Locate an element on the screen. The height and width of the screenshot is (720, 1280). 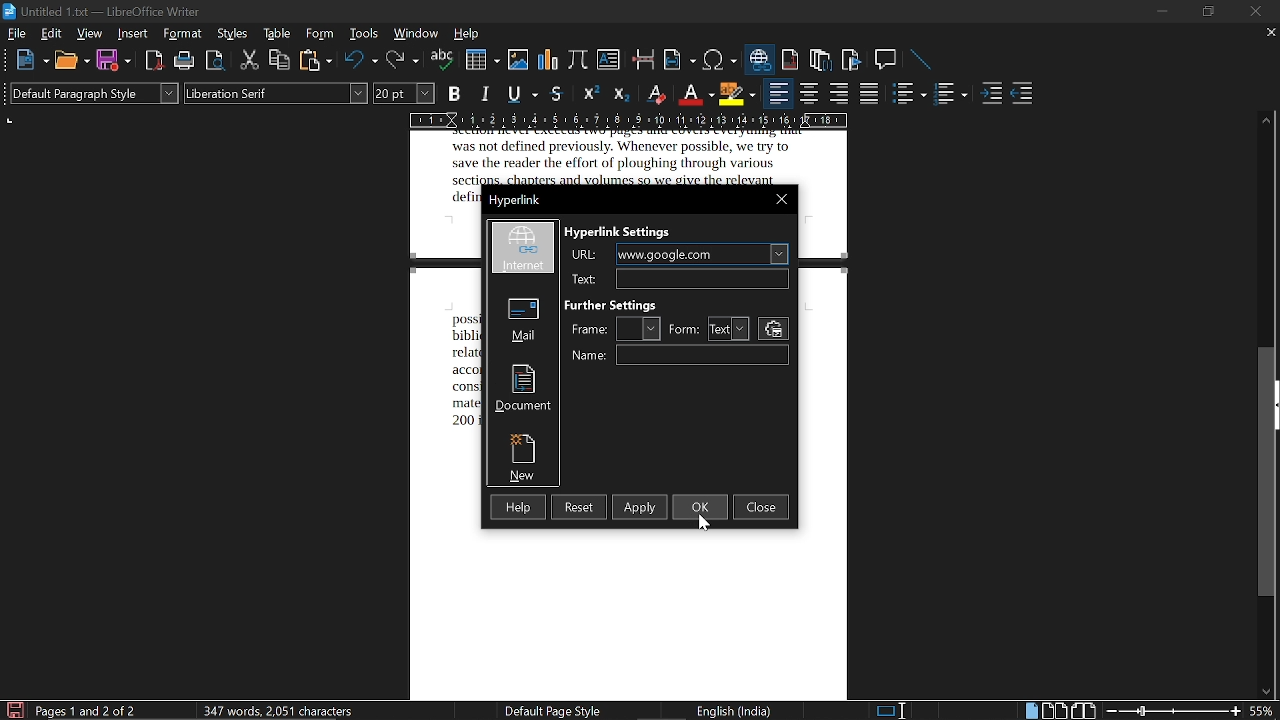
insert page break is located at coordinates (643, 61).